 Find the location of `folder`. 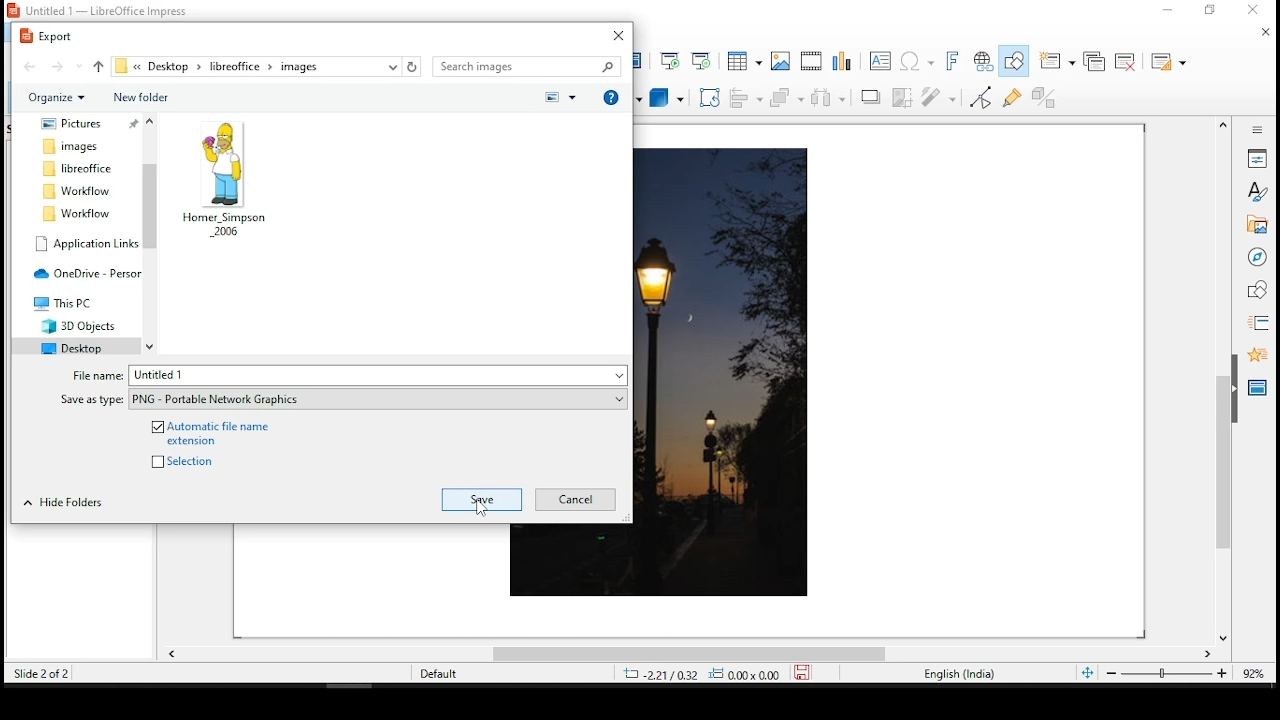

folder is located at coordinates (67, 302).